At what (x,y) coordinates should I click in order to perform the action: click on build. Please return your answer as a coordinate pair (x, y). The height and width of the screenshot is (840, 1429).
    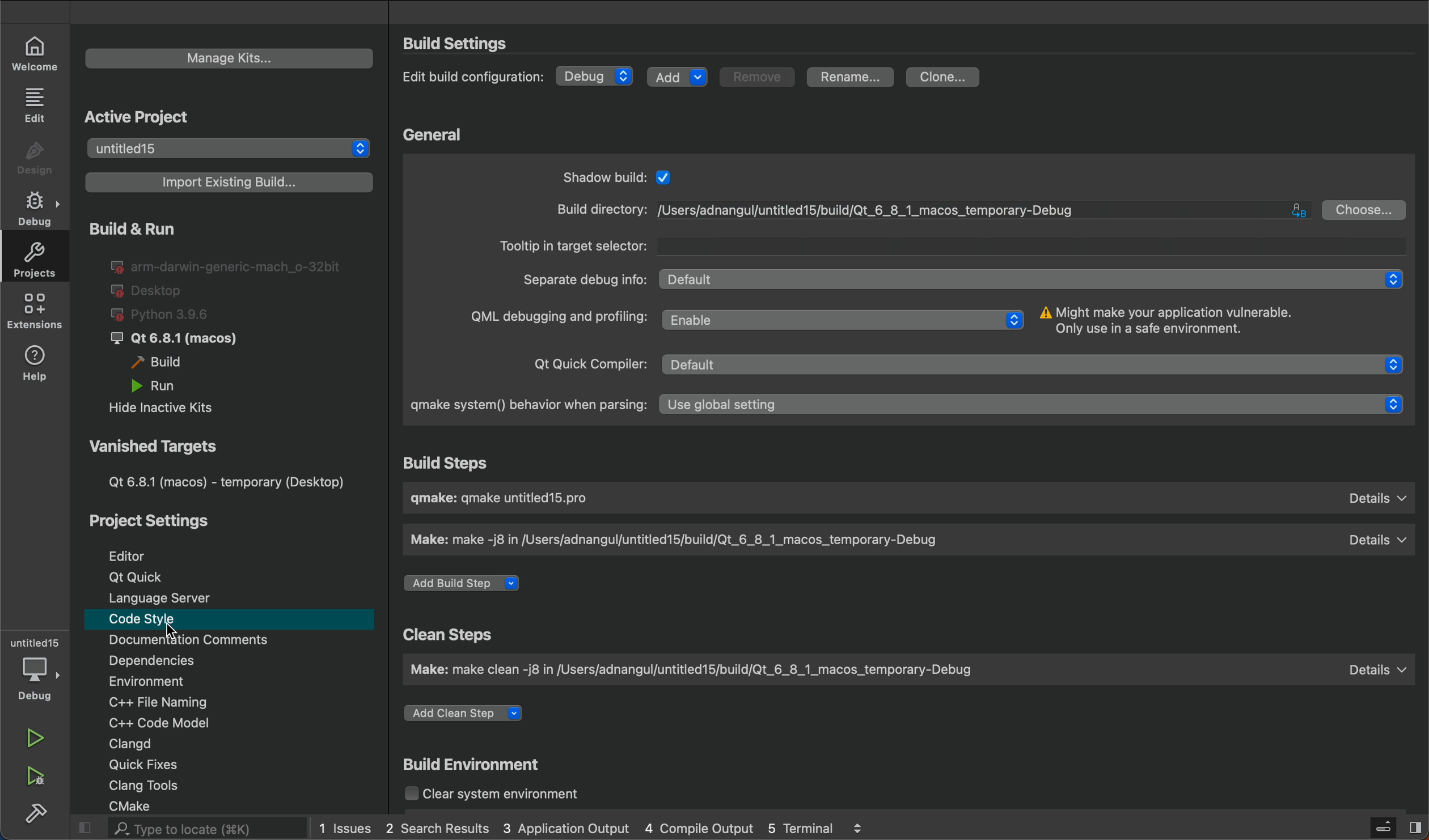
    Looking at the image, I should click on (37, 816).